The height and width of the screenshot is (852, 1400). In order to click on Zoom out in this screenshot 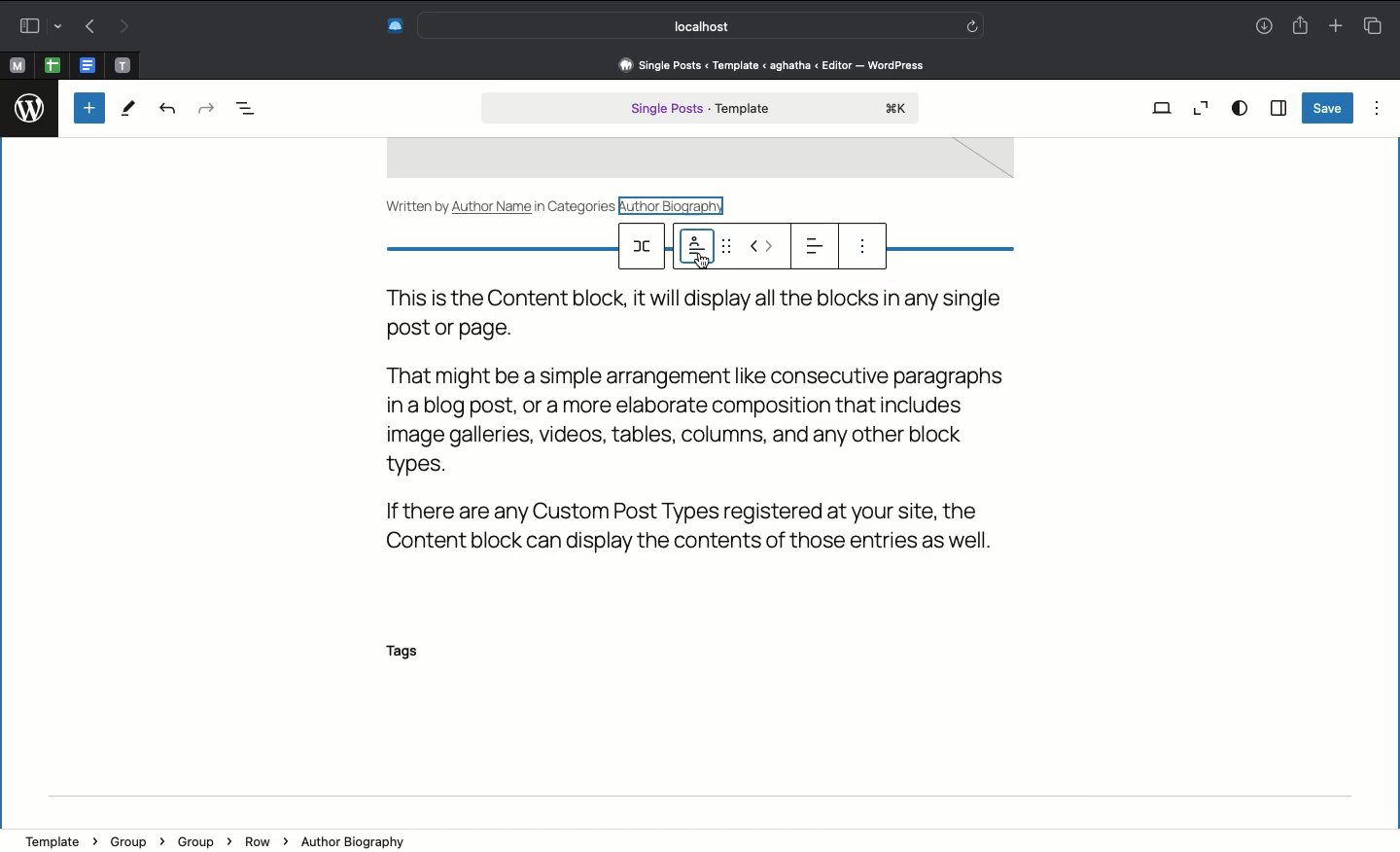, I will do `click(1201, 108)`.